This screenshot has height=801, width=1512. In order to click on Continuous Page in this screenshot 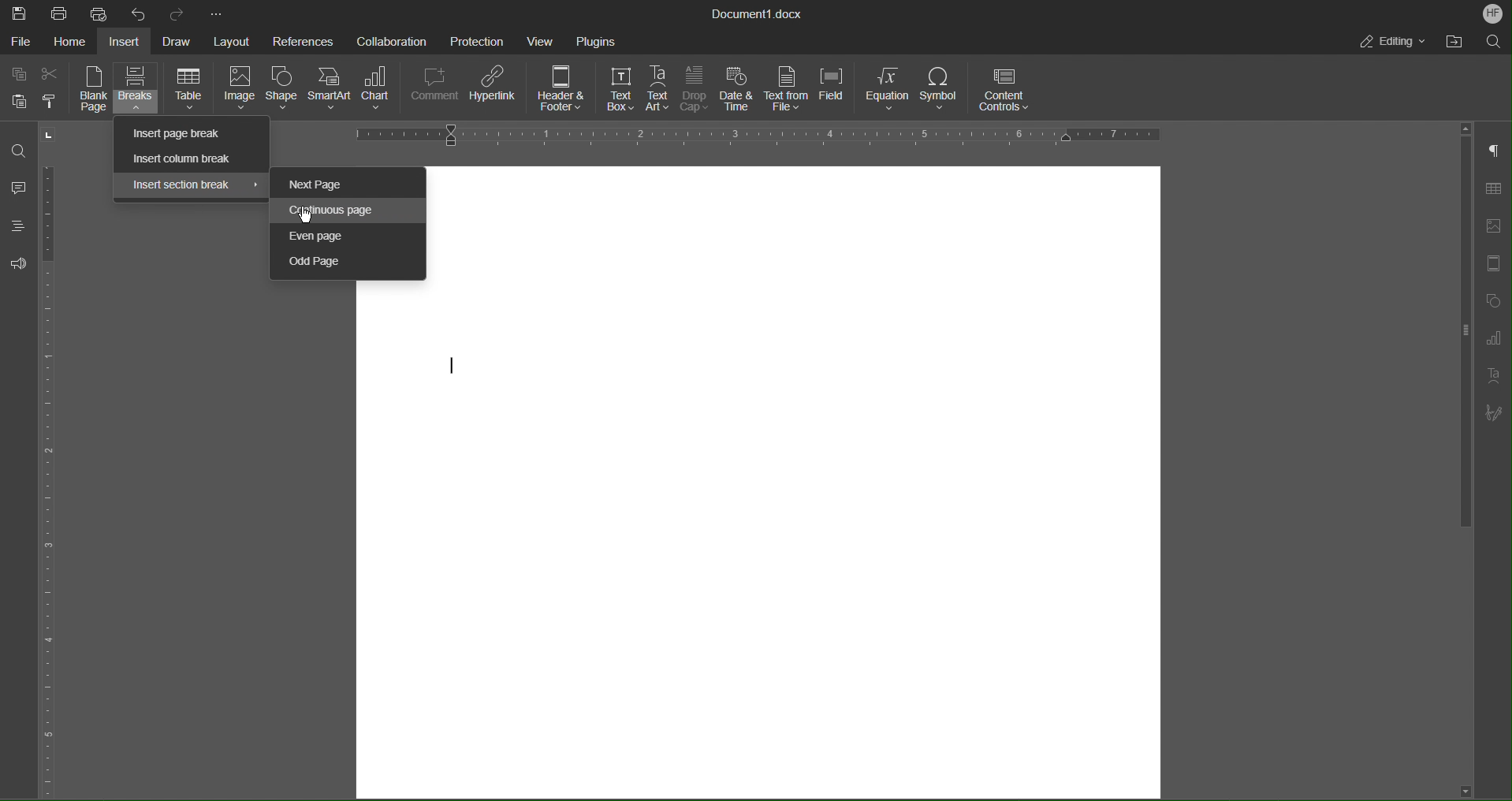, I will do `click(333, 210)`.